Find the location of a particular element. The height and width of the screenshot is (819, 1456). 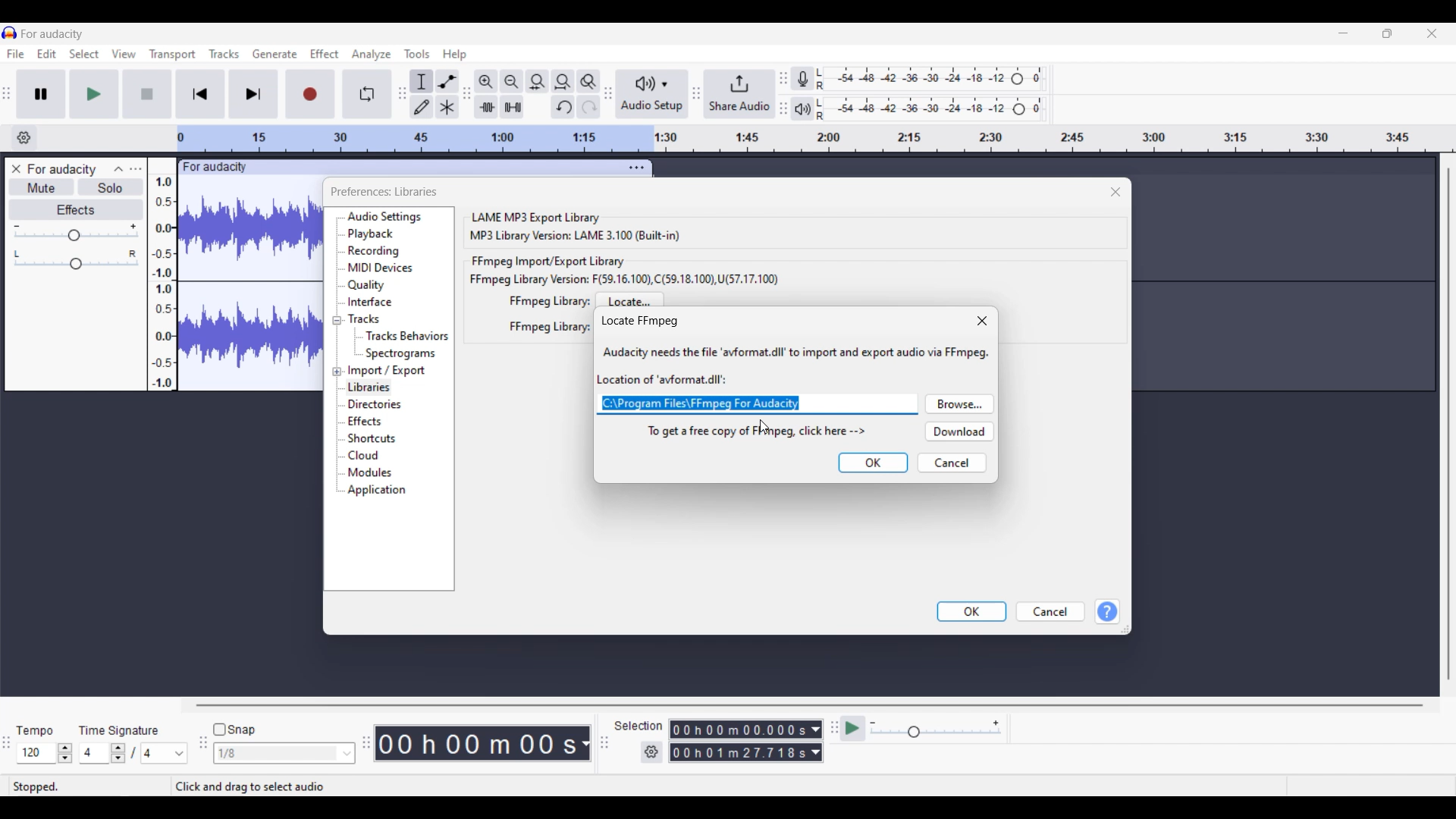

Skip/Select to start is located at coordinates (200, 95).